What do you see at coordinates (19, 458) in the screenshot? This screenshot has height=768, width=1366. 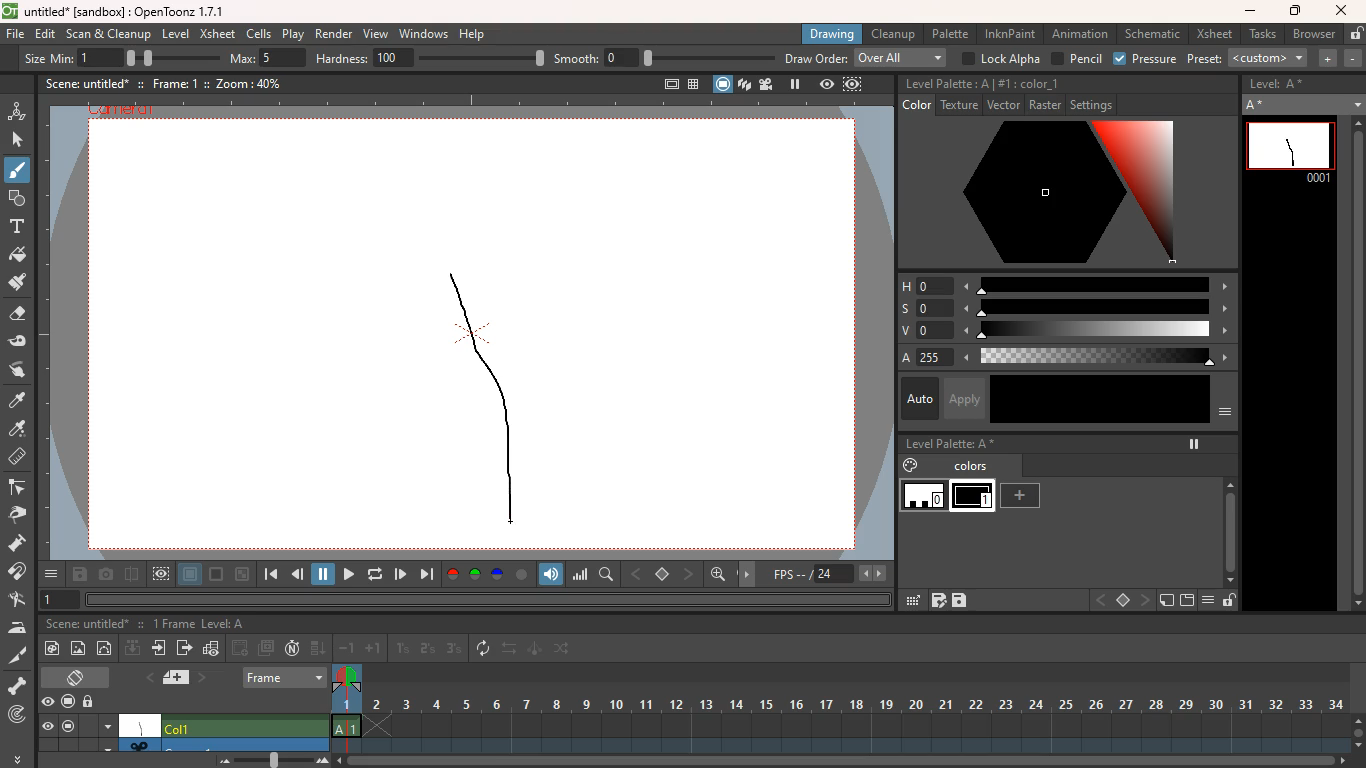 I see `measure` at bounding box center [19, 458].